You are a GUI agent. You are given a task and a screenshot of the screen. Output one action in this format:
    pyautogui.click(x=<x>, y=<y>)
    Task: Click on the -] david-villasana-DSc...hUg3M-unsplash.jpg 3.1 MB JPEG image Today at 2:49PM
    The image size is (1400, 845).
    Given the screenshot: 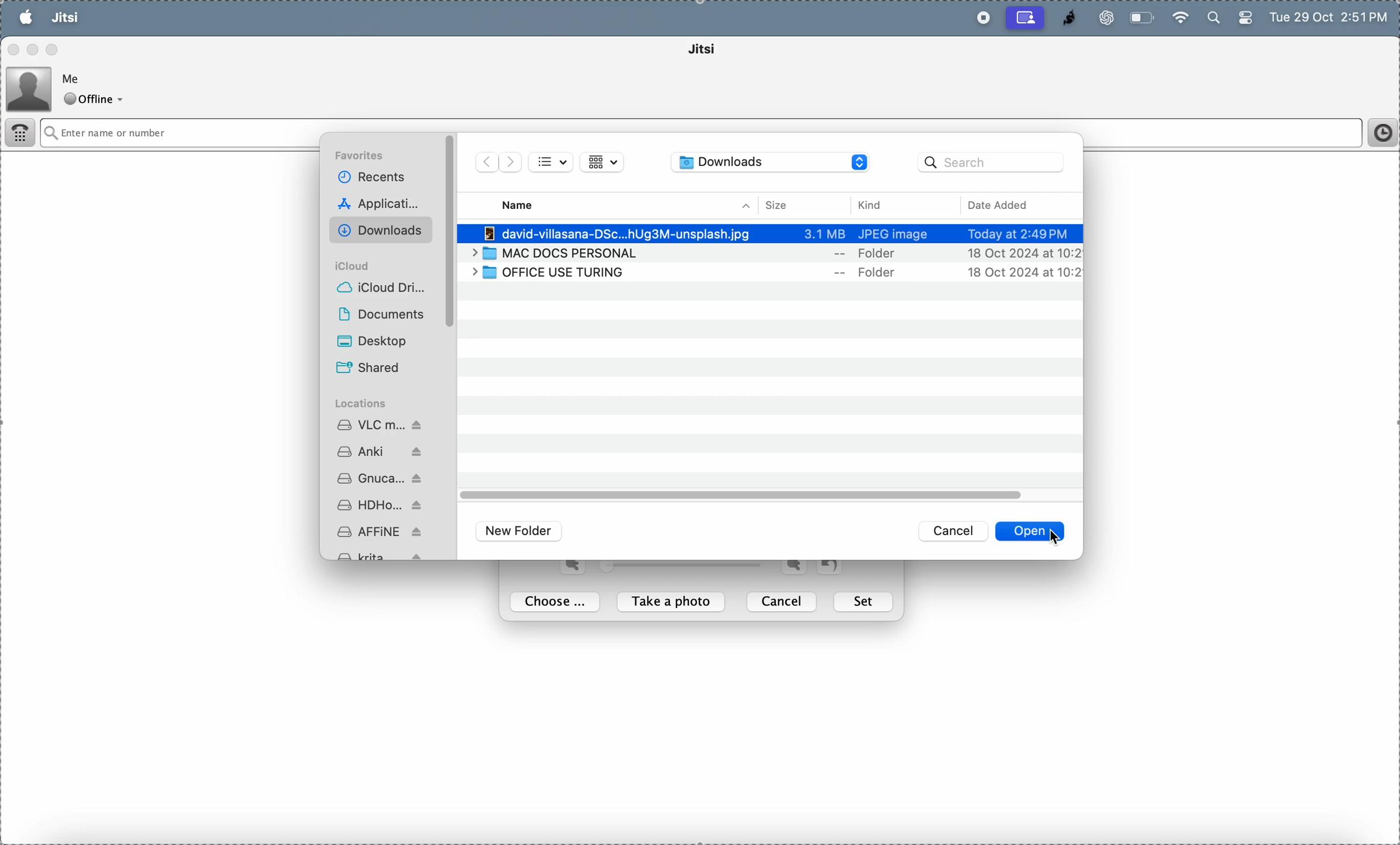 What is the action you would take?
    pyautogui.click(x=781, y=233)
    